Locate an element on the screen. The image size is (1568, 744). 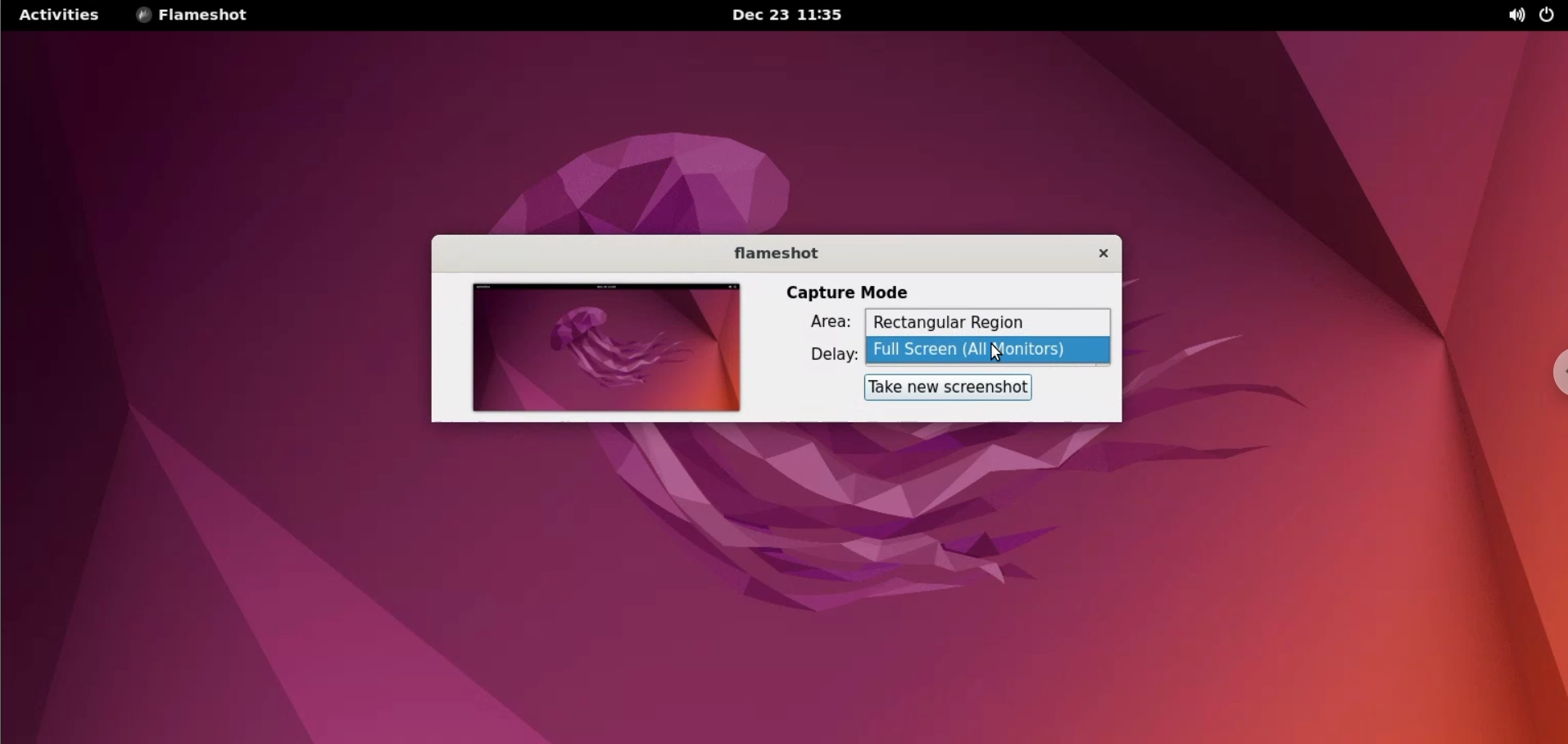
full screen is located at coordinates (992, 352).